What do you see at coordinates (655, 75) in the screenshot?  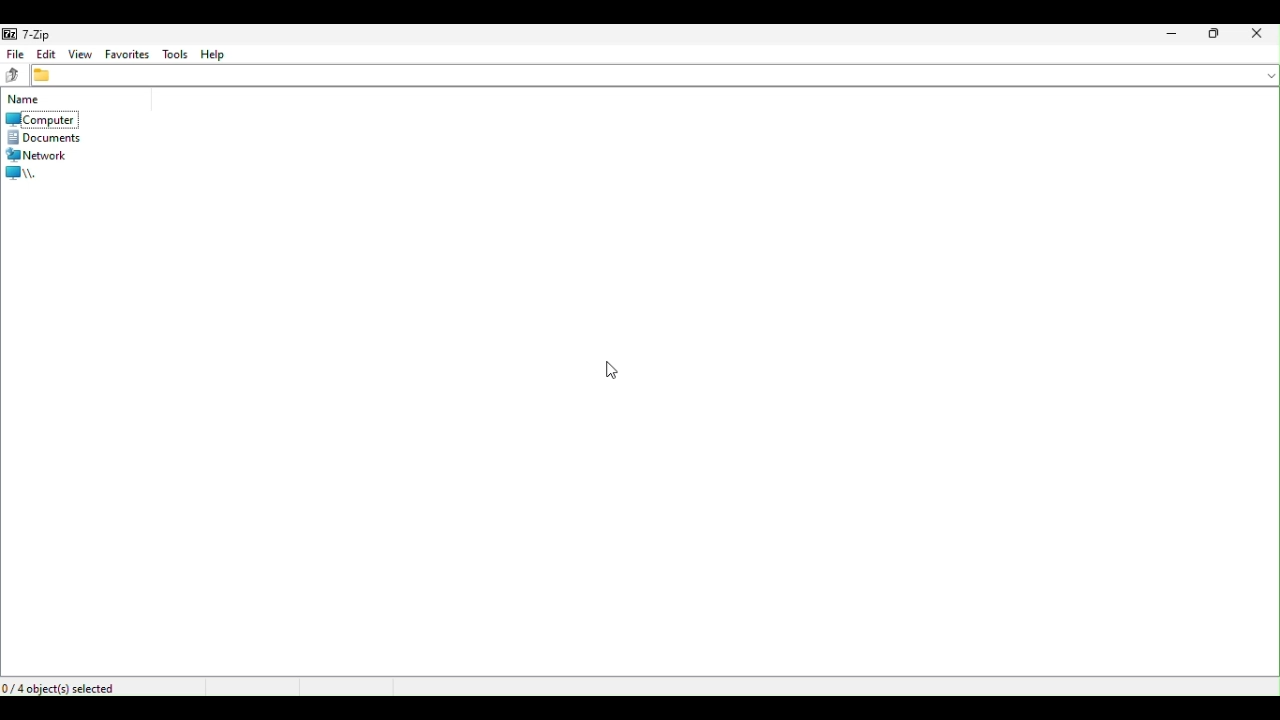 I see `File address bar` at bounding box center [655, 75].